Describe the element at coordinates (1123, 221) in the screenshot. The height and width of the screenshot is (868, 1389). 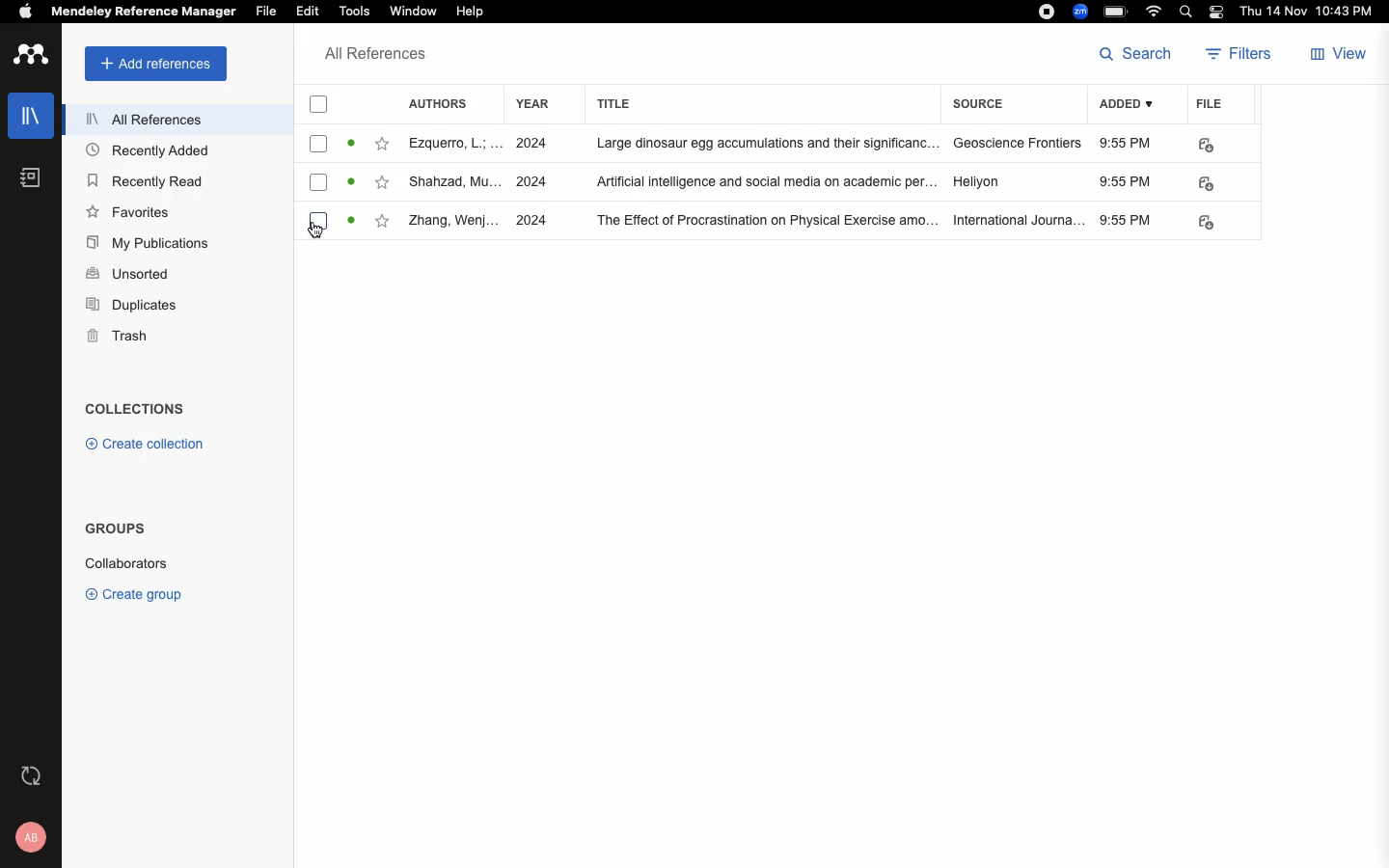
I see `9:55 PM` at that location.